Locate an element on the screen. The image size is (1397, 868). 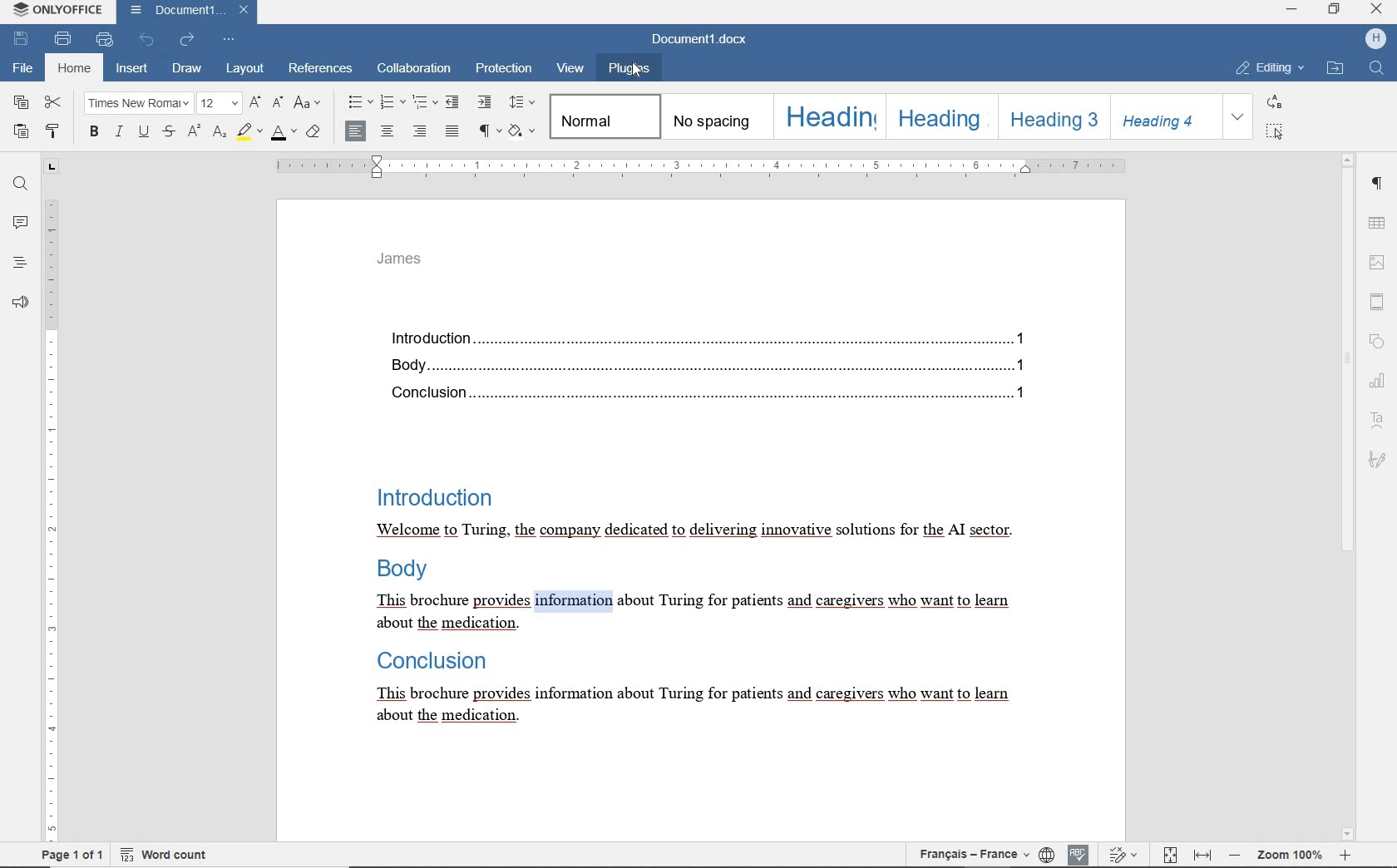
FIT TO PAGE is located at coordinates (1172, 854).